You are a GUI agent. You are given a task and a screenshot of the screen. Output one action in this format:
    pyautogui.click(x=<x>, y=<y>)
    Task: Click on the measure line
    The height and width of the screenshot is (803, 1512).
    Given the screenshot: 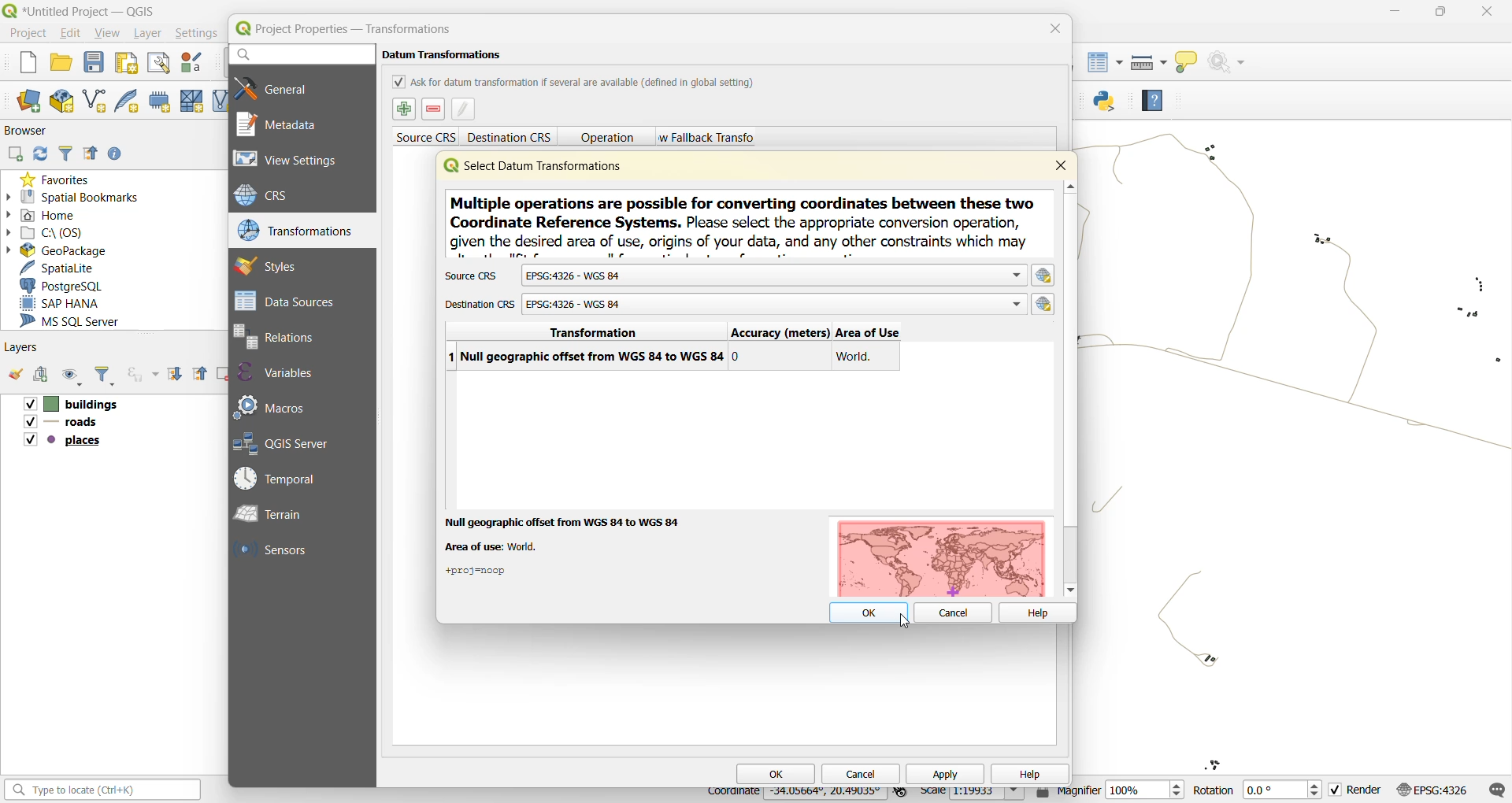 What is the action you would take?
    pyautogui.click(x=1147, y=62)
    